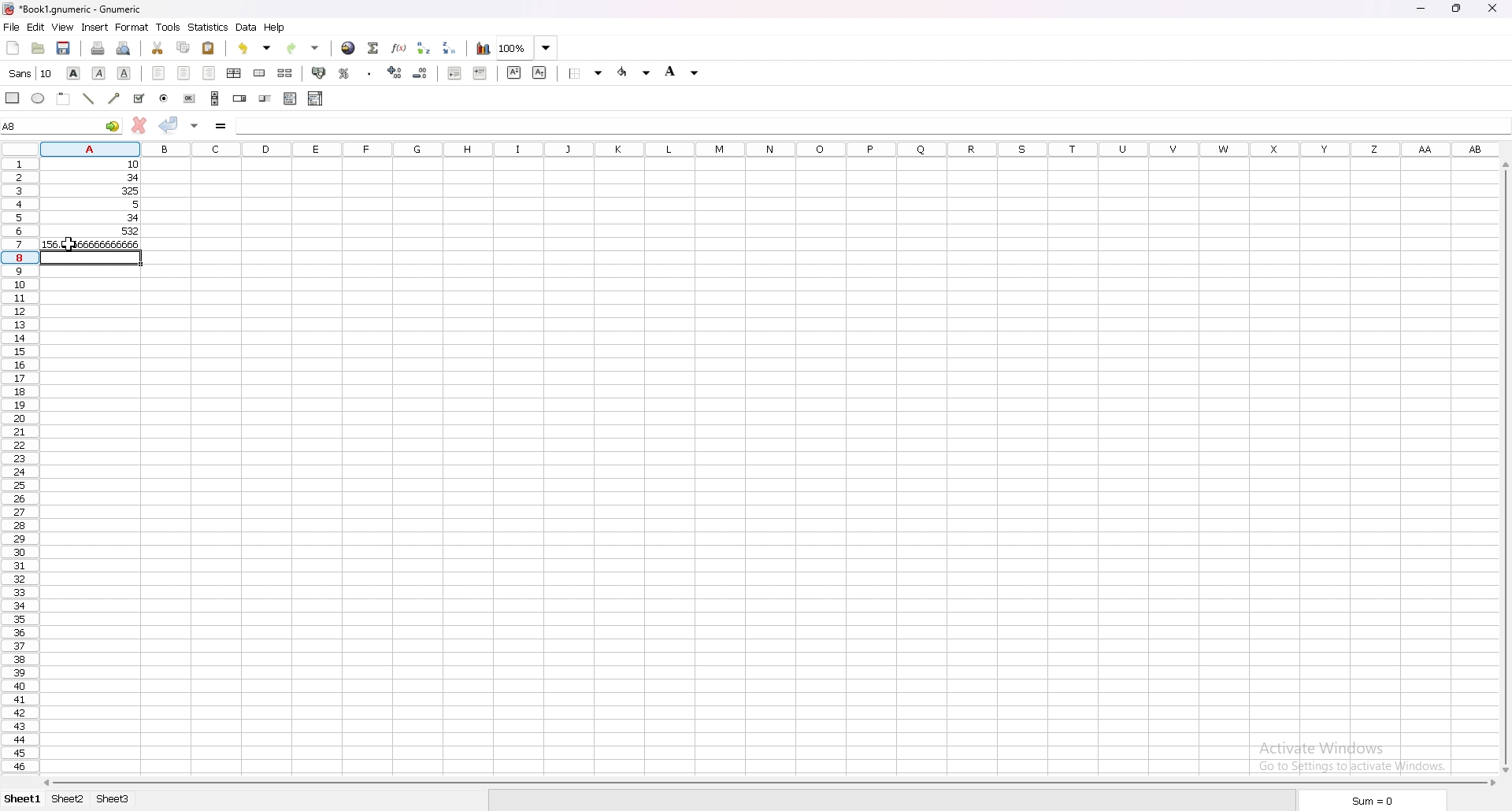 The width and height of the screenshot is (1512, 811). I want to click on hyperlink, so click(347, 47).